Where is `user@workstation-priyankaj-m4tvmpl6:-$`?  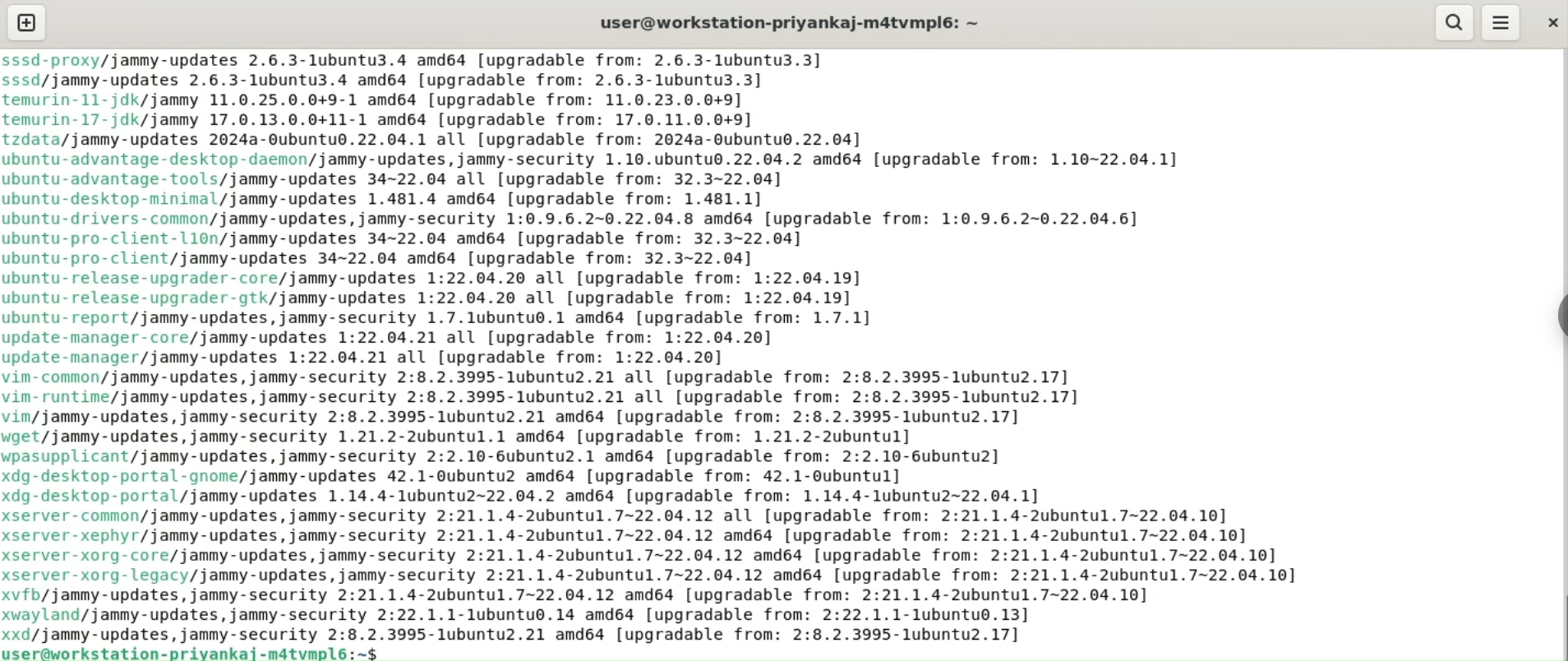 user@workstation-priyankaj-m4tvmpl6:-$ is located at coordinates (212, 653).